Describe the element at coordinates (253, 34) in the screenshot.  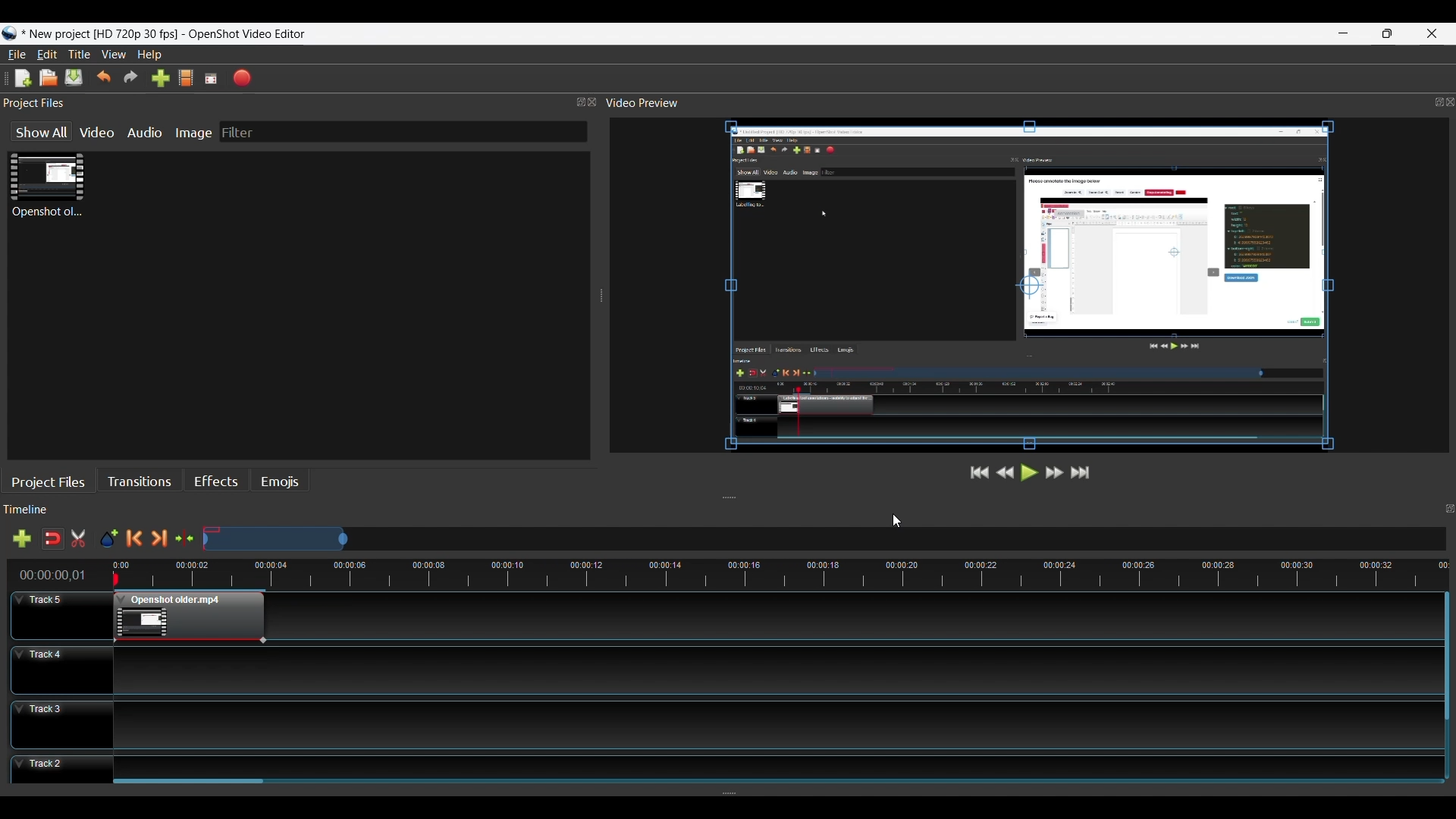
I see `OpenShot video editor` at that location.